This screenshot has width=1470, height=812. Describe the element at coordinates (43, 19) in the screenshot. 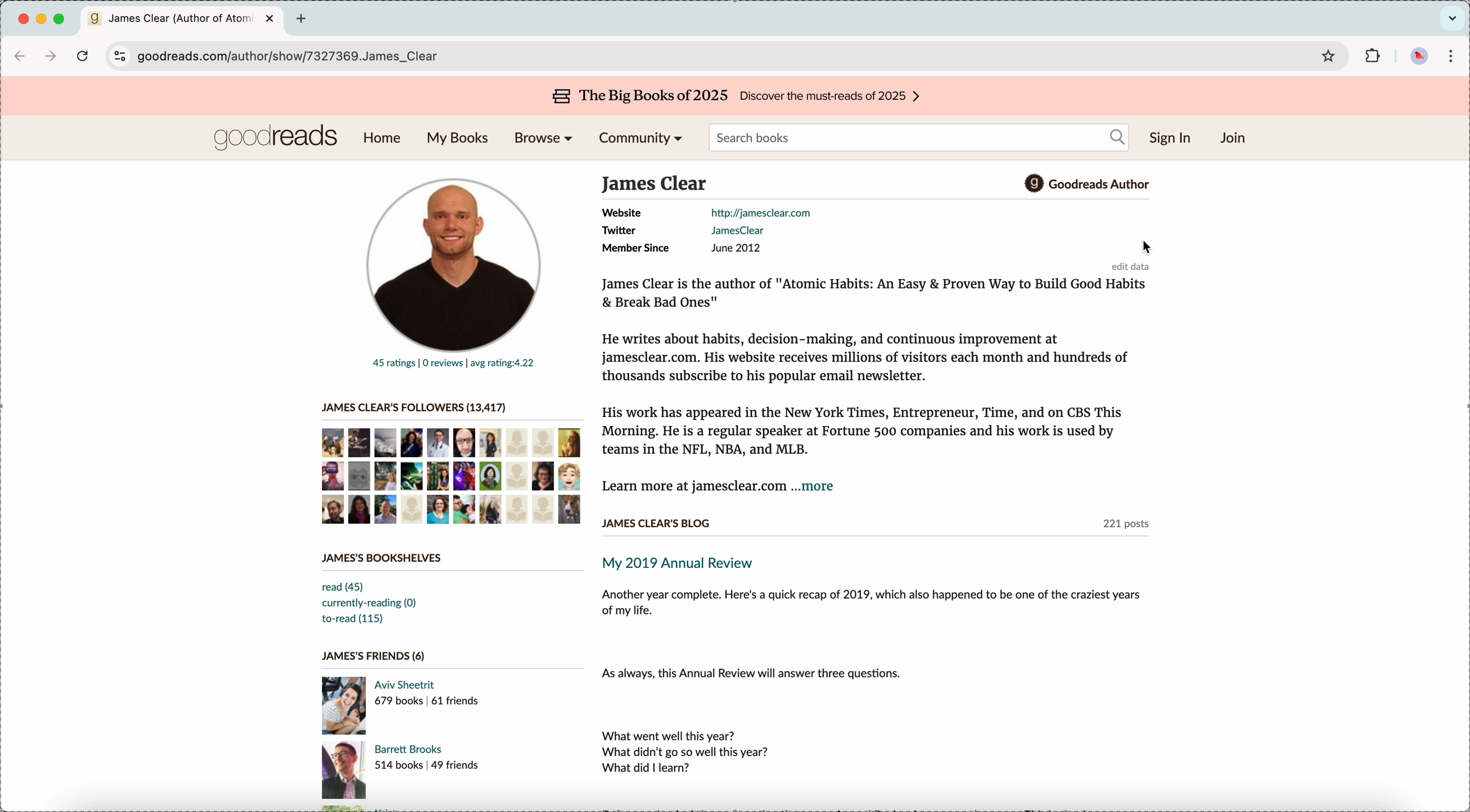

I see `minimize Chrome` at that location.